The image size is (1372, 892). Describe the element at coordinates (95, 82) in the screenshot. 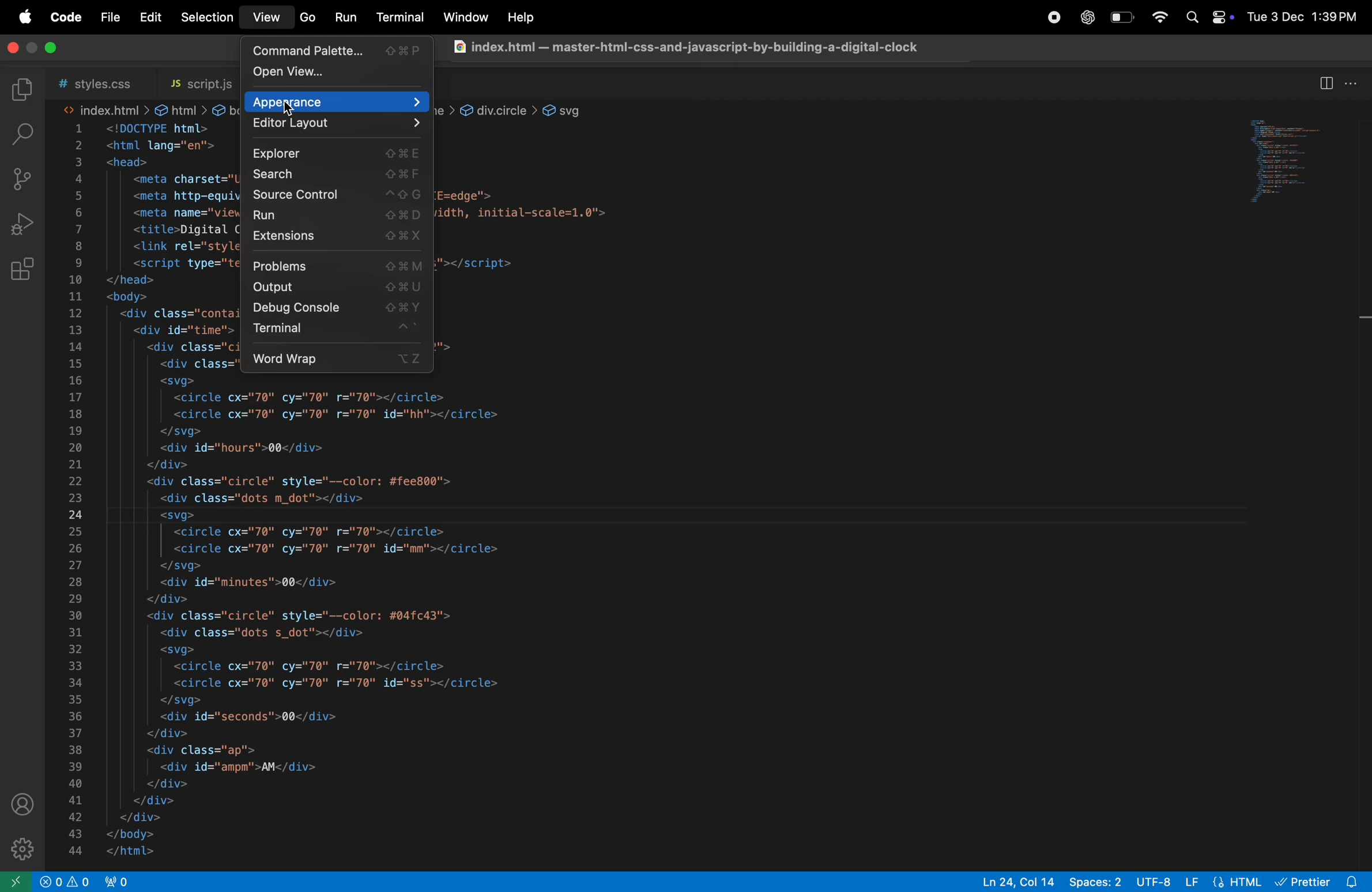

I see `style .css` at that location.